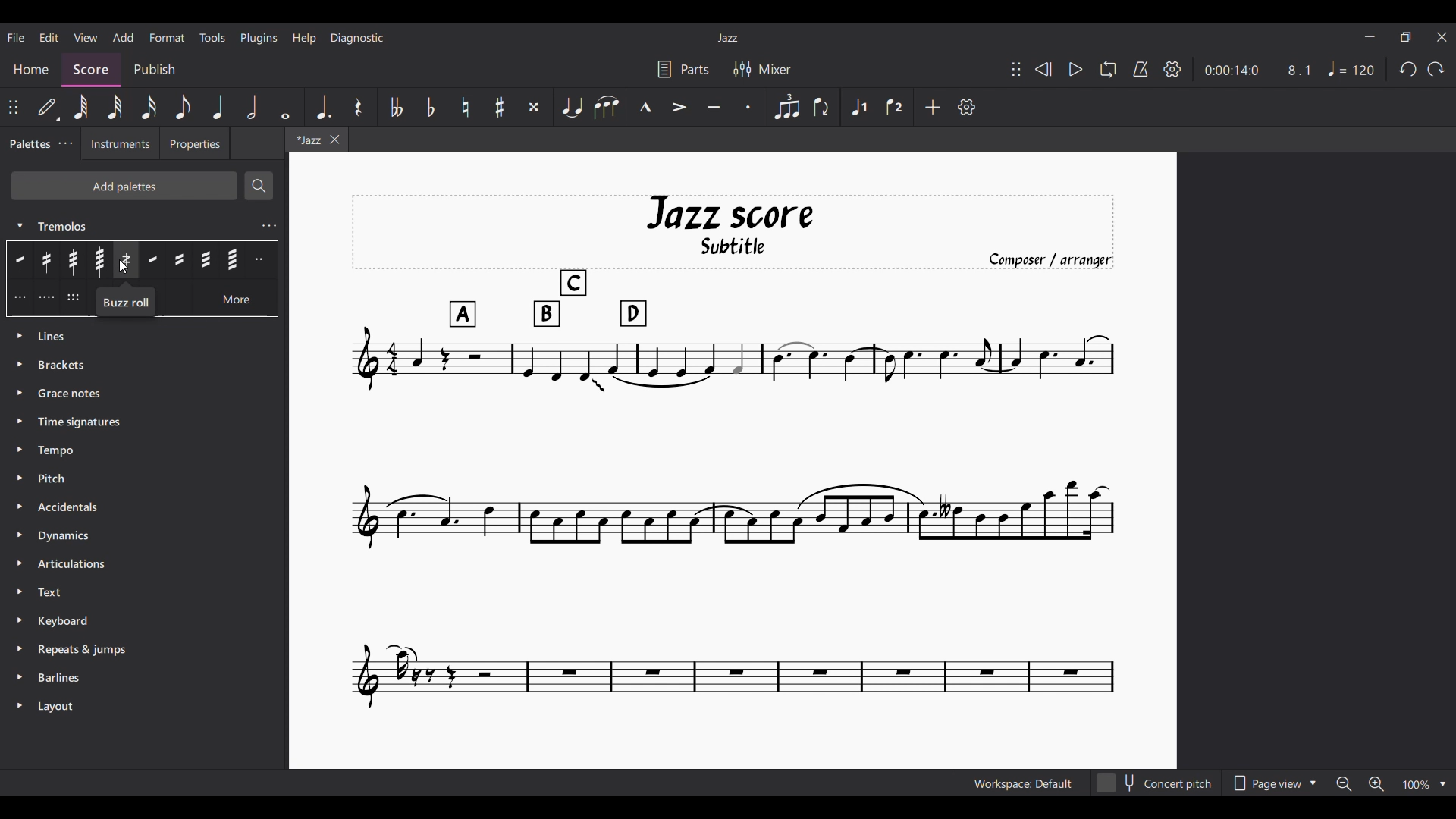  What do you see at coordinates (115, 108) in the screenshot?
I see `32nd note` at bounding box center [115, 108].